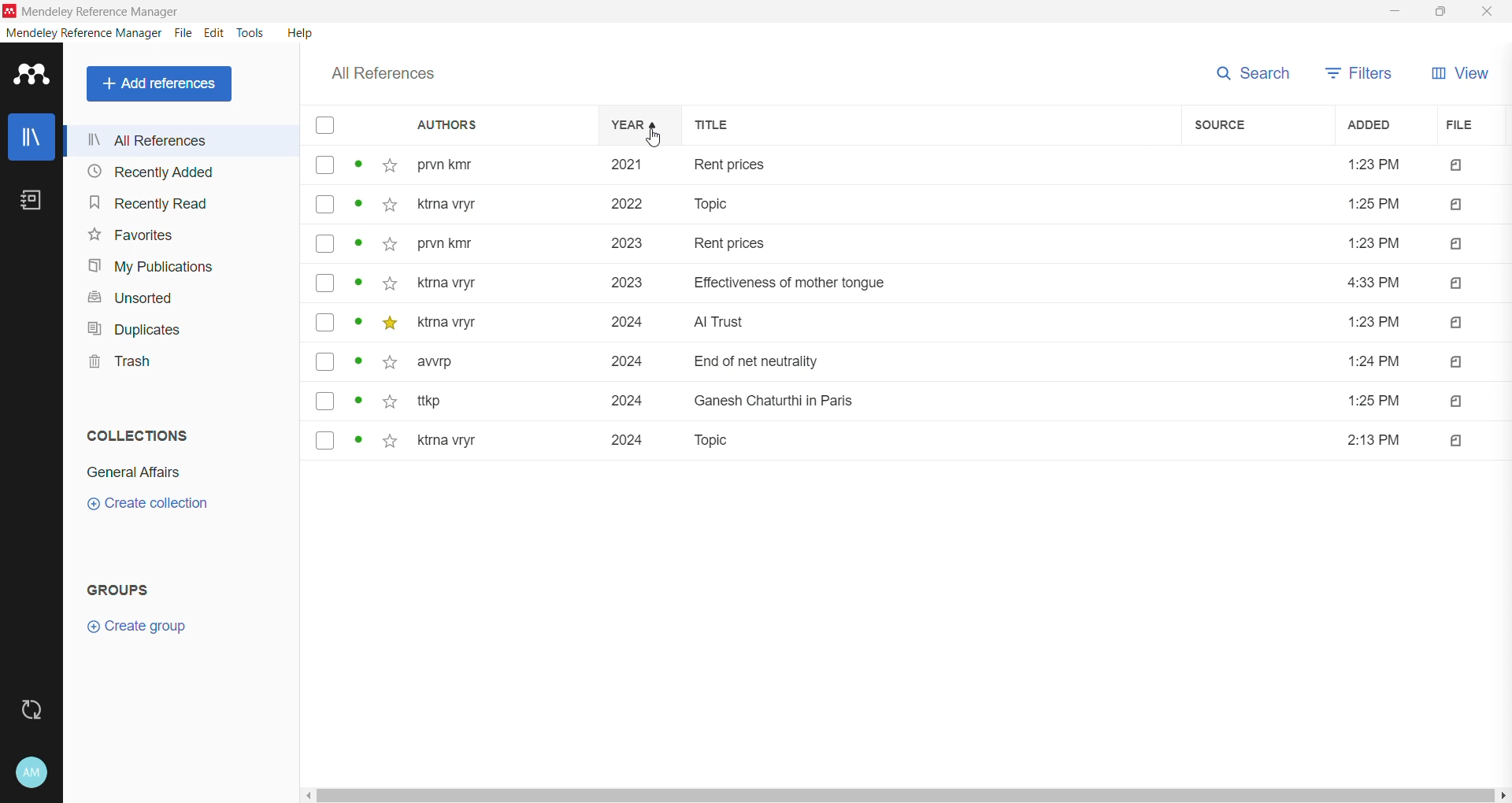 The width and height of the screenshot is (1512, 803). Describe the element at coordinates (325, 243) in the screenshot. I see `select` at that location.